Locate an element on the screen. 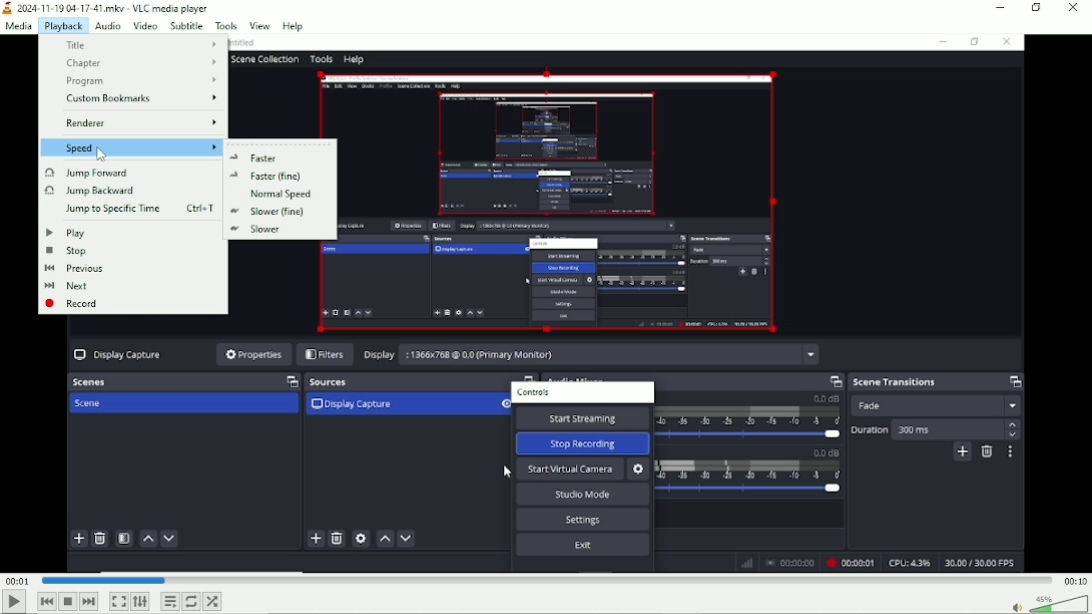  Title is located at coordinates (107, 7).